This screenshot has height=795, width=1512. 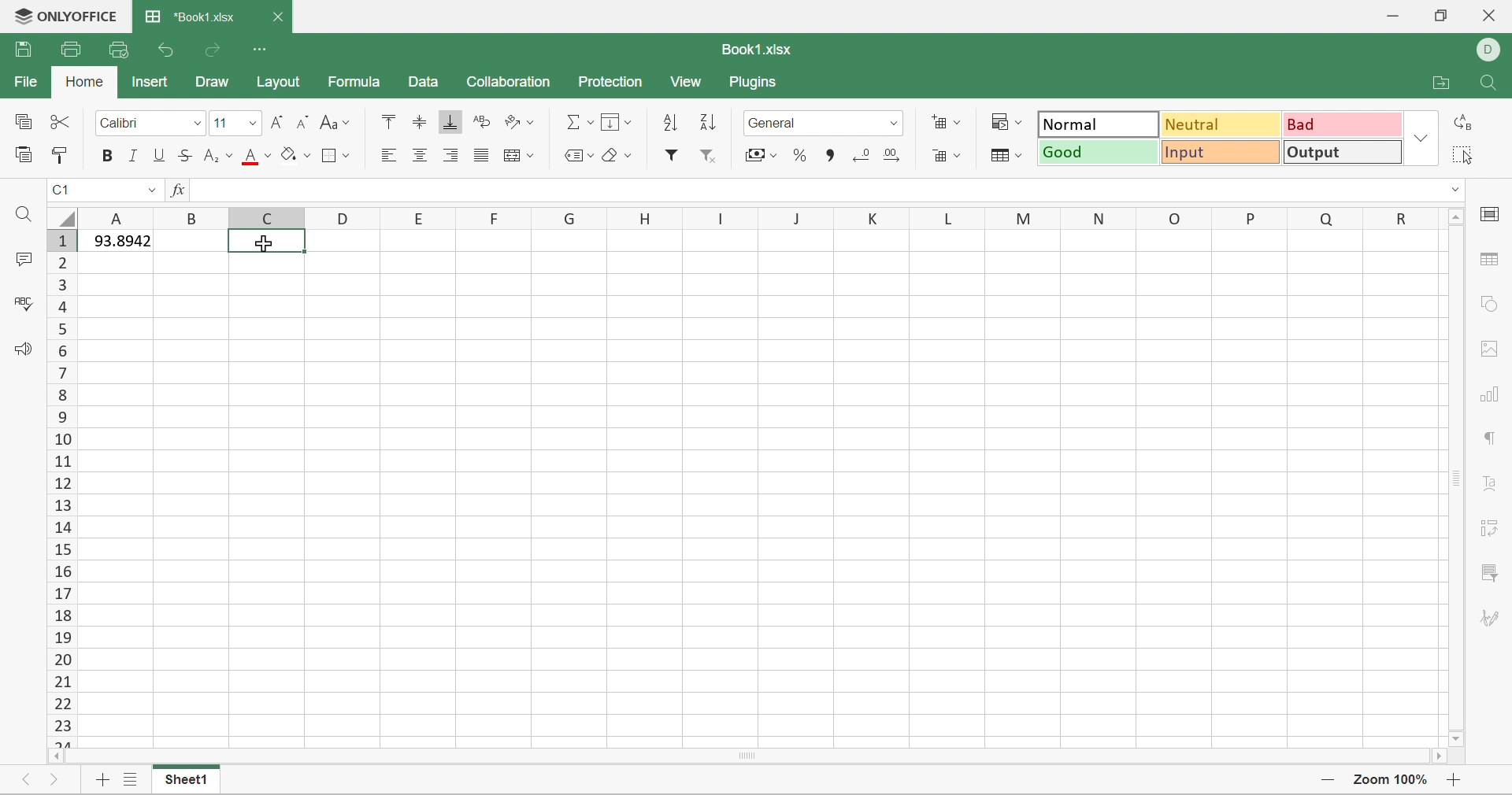 I want to click on Zoom in, so click(x=1454, y=780).